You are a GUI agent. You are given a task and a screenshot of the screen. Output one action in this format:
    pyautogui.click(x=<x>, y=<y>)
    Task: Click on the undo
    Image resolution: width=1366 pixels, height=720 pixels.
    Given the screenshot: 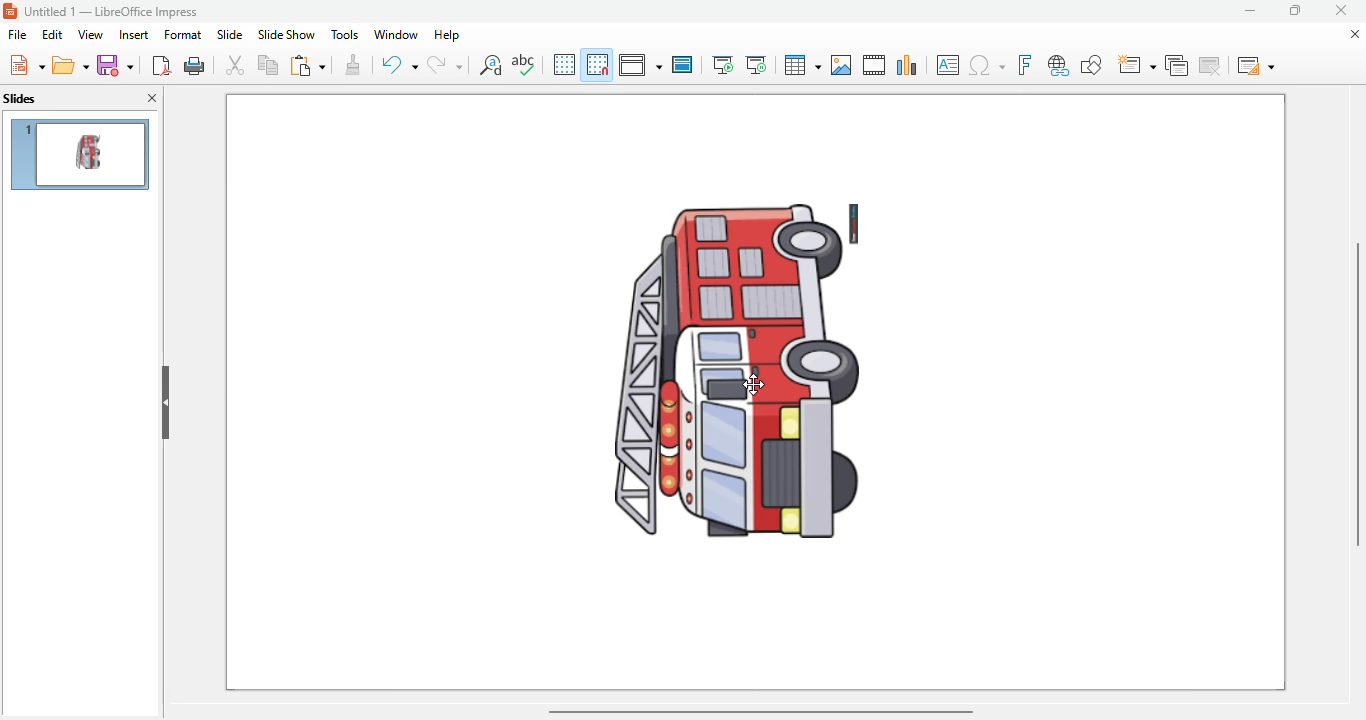 What is the action you would take?
    pyautogui.click(x=398, y=63)
    